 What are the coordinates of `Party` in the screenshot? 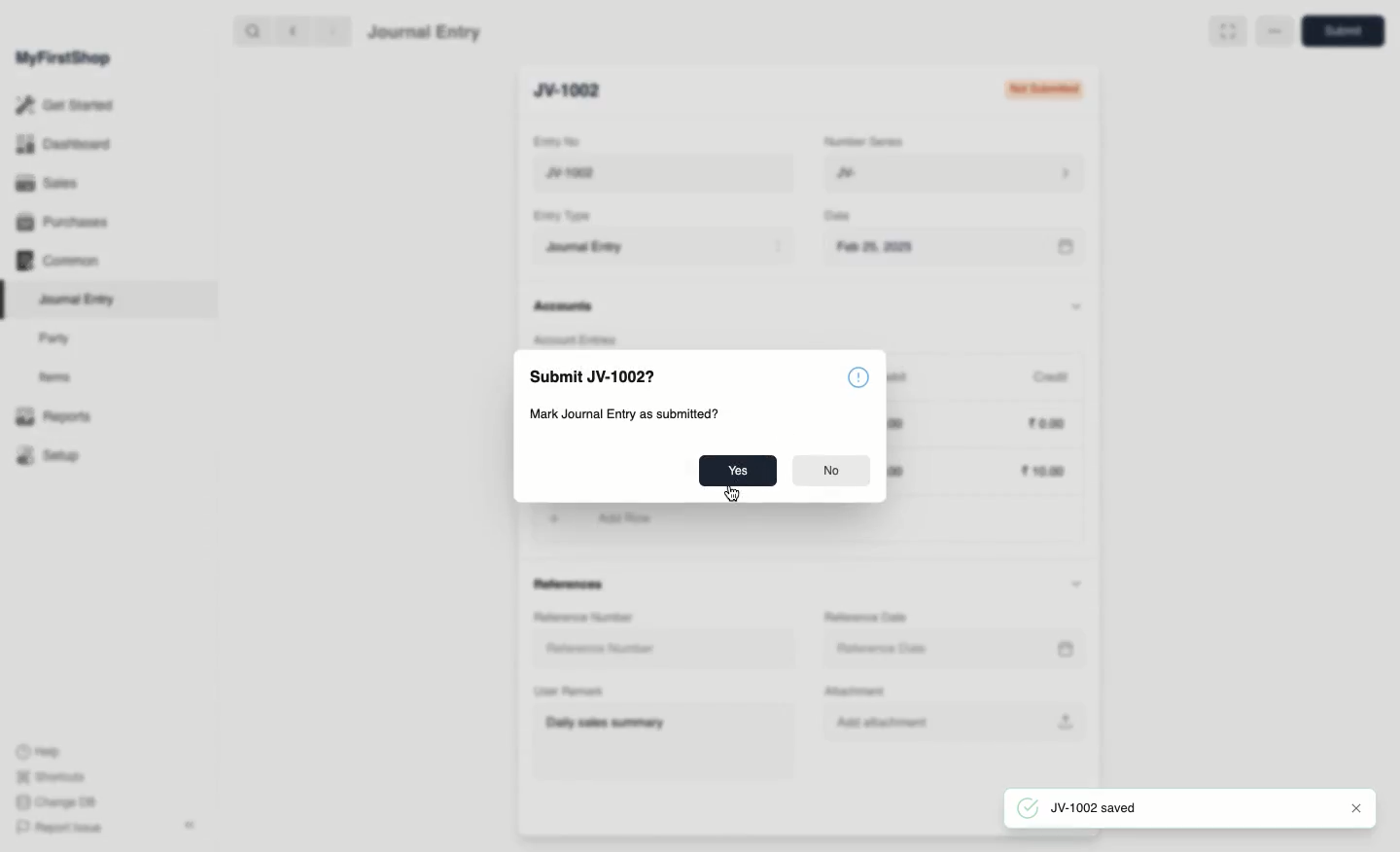 It's located at (55, 337).